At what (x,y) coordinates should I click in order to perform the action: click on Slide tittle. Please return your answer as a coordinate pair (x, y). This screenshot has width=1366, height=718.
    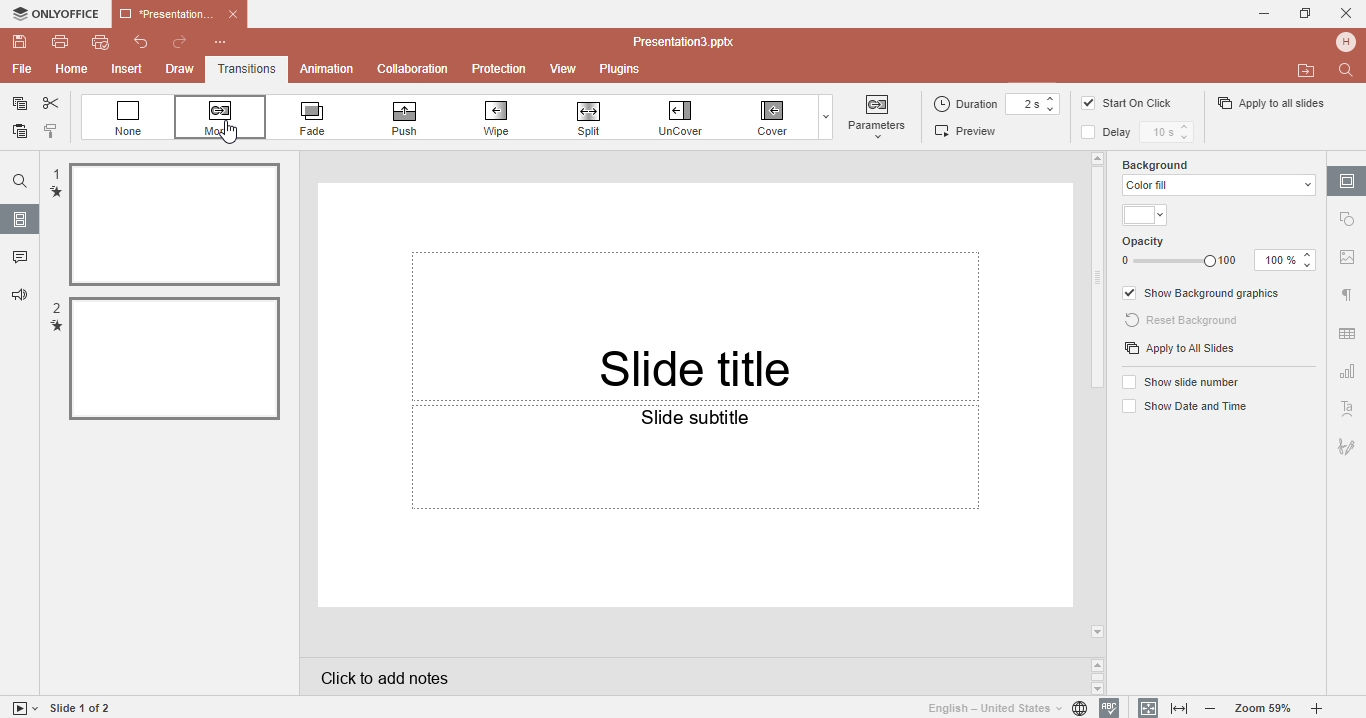
    Looking at the image, I should click on (699, 292).